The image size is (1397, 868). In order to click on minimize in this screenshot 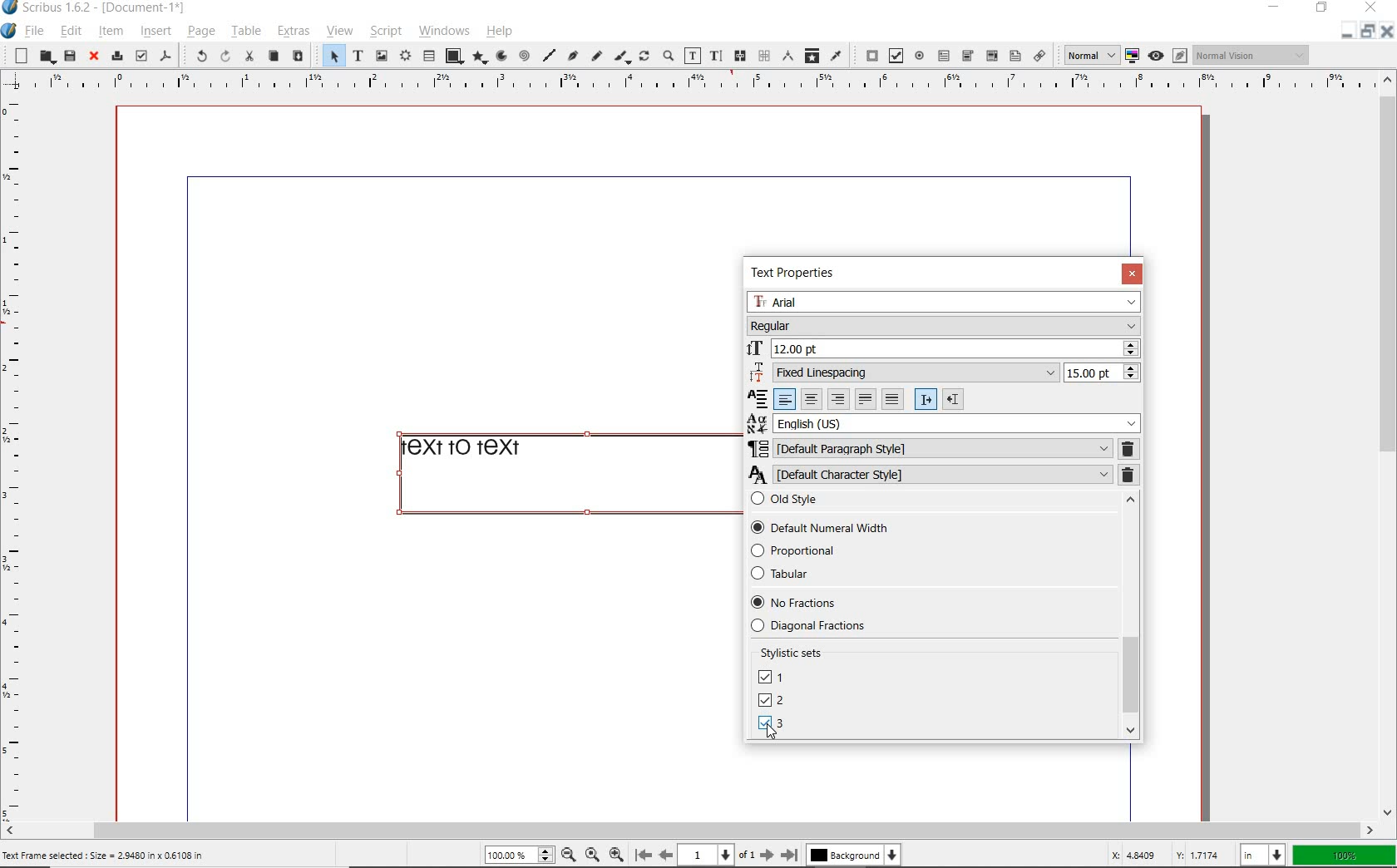, I will do `click(1277, 8)`.